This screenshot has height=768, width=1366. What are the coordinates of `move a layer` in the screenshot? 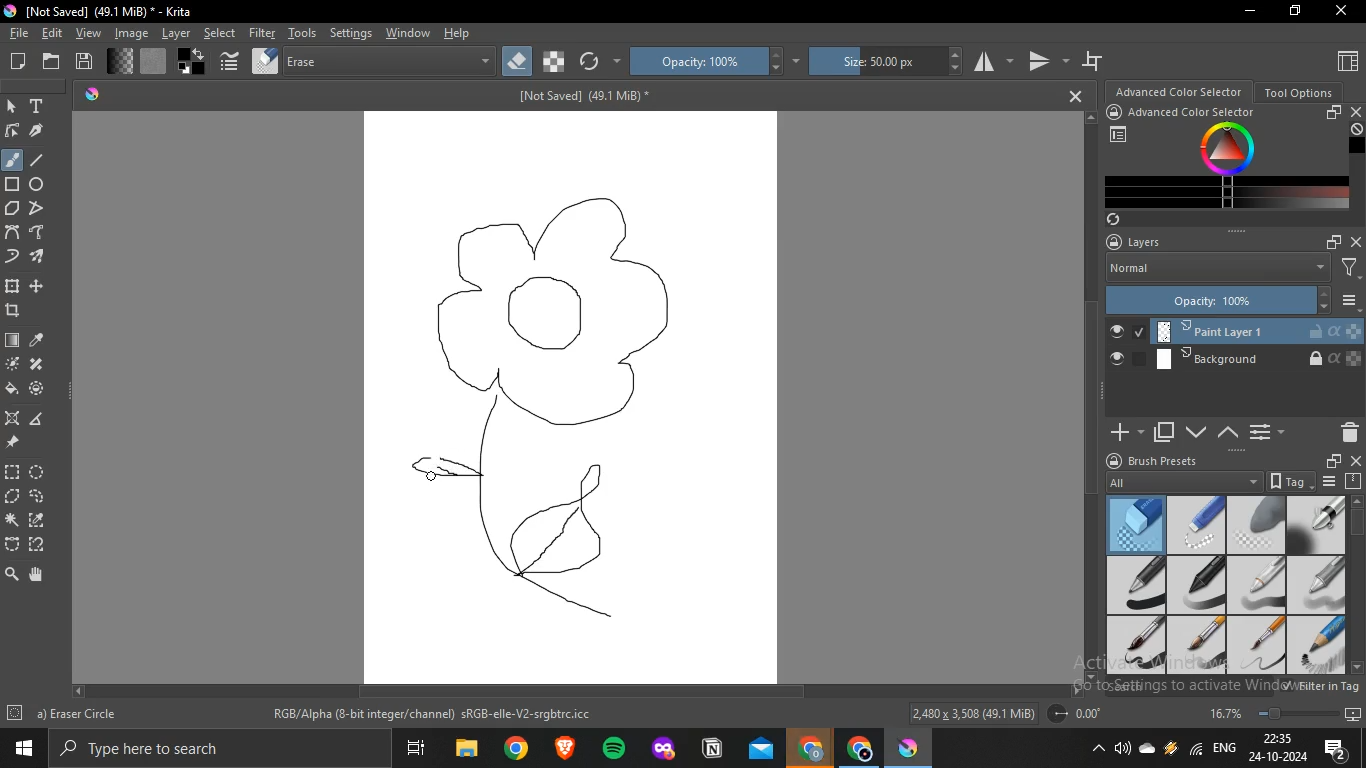 It's located at (36, 288).